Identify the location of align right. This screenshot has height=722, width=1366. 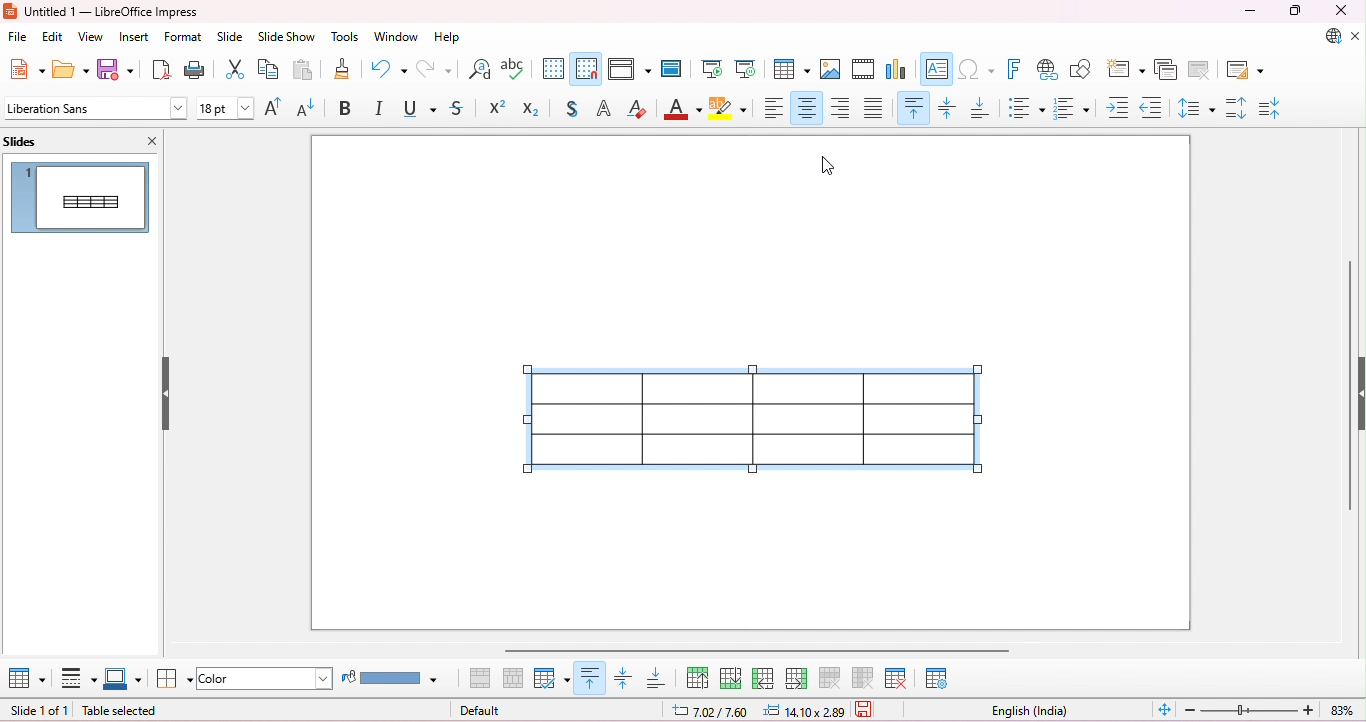
(842, 108).